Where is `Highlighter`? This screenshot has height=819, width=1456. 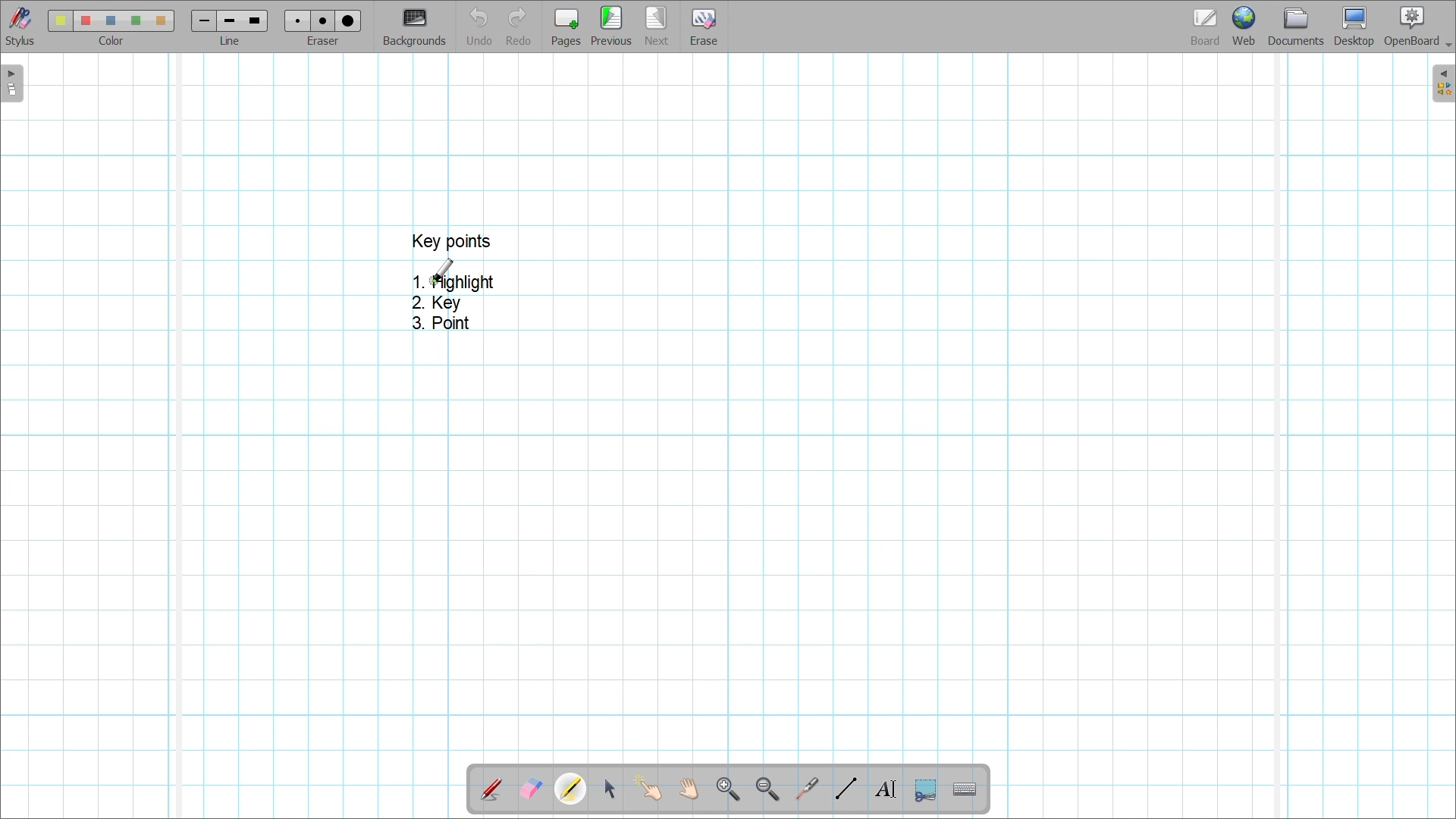 Highlighter is located at coordinates (570, 789).